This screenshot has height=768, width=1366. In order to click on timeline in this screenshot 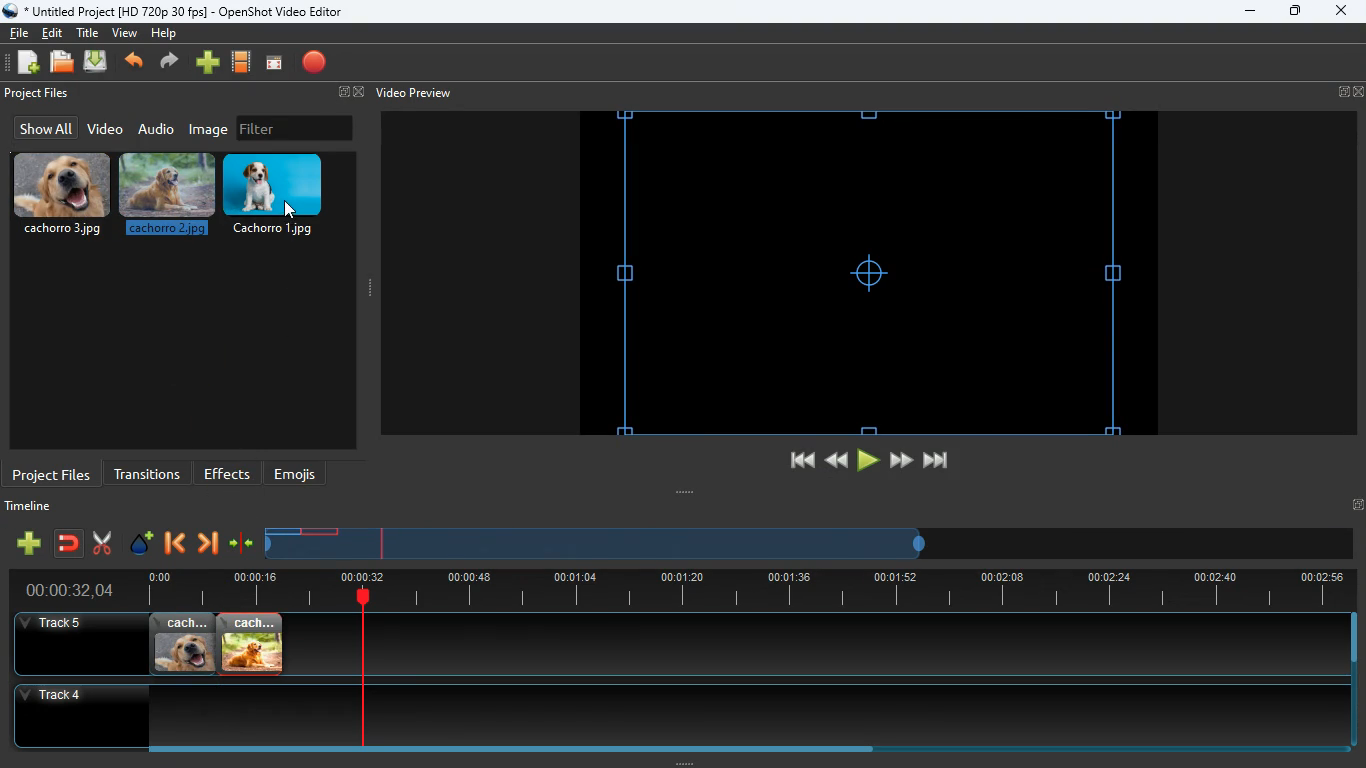, I will do `click(33, 509)`.